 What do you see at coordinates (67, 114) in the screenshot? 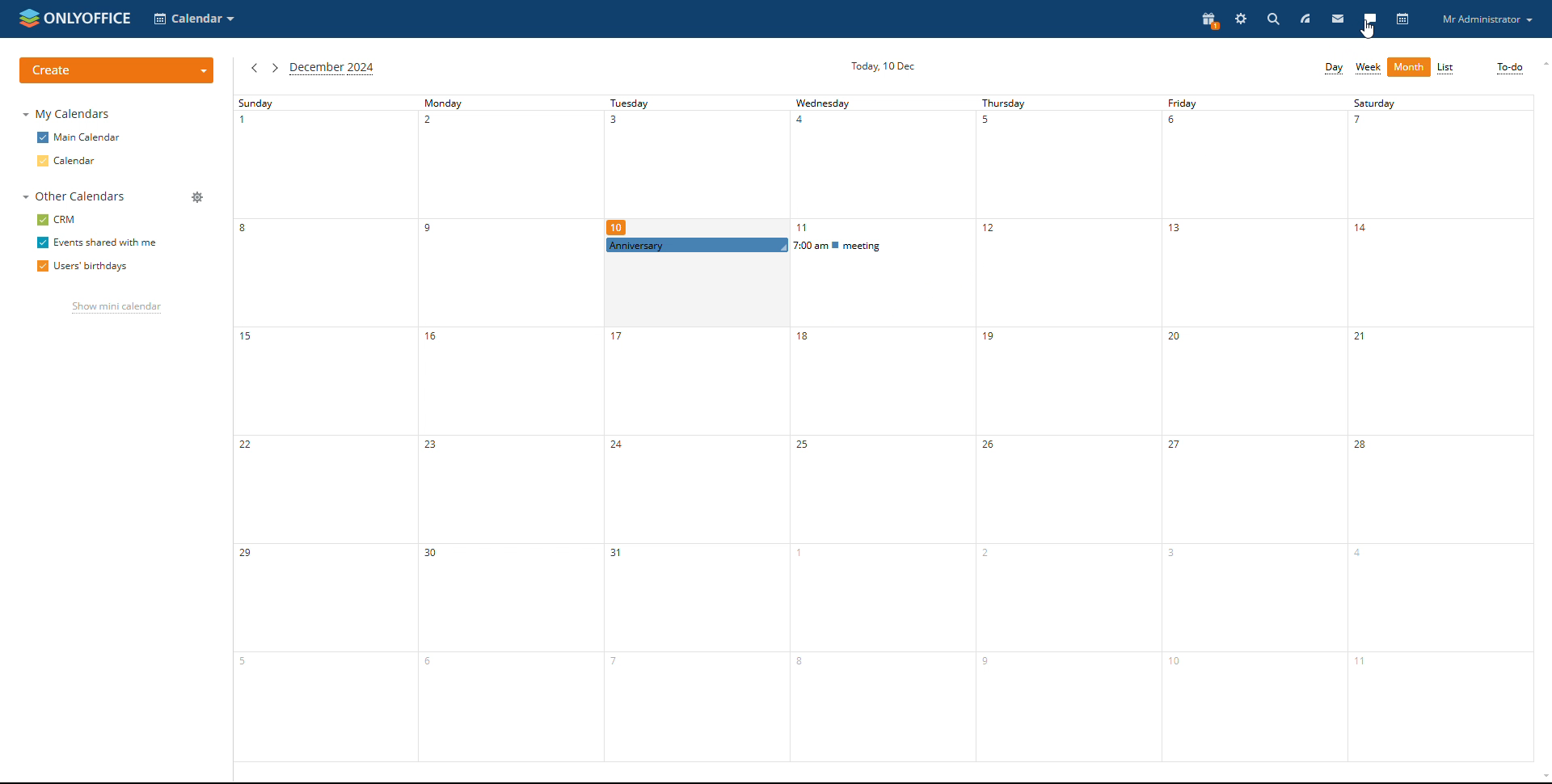
I see `my calendars` at bounding box center [67, 114].